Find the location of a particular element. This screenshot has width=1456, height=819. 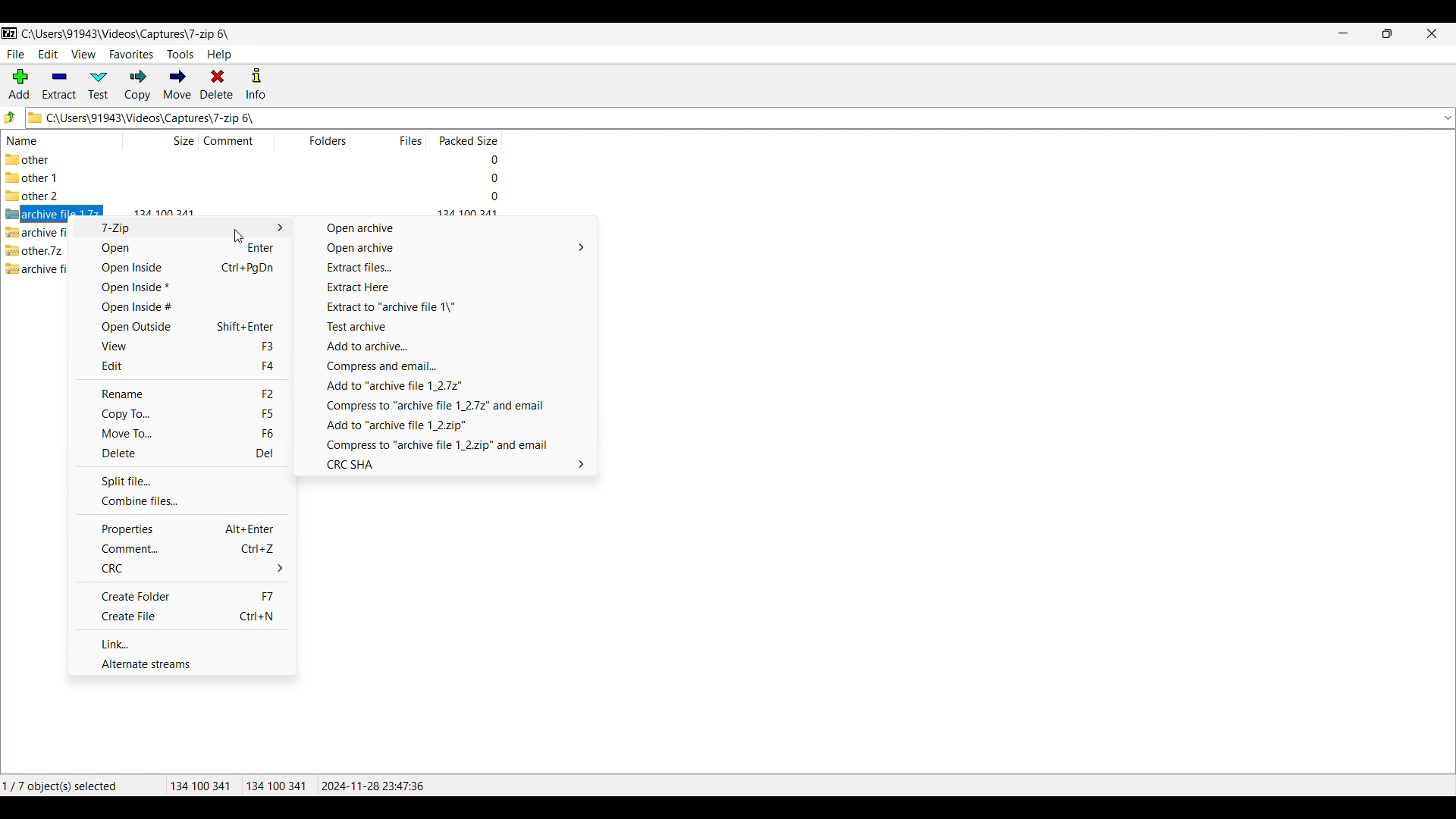

Test is located at coordinates (99, 85).